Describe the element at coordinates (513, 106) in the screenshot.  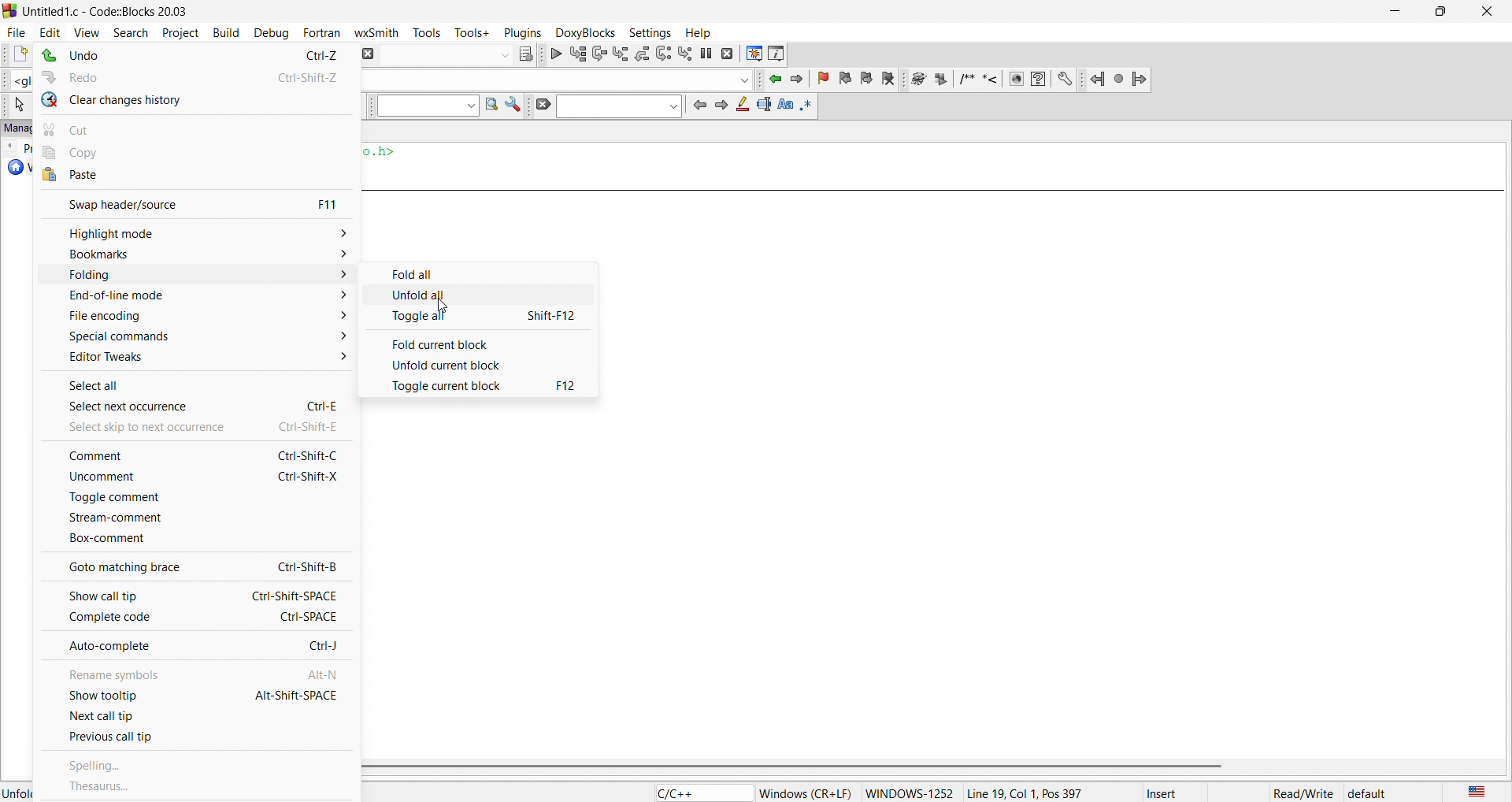
I see `settings` at that location.